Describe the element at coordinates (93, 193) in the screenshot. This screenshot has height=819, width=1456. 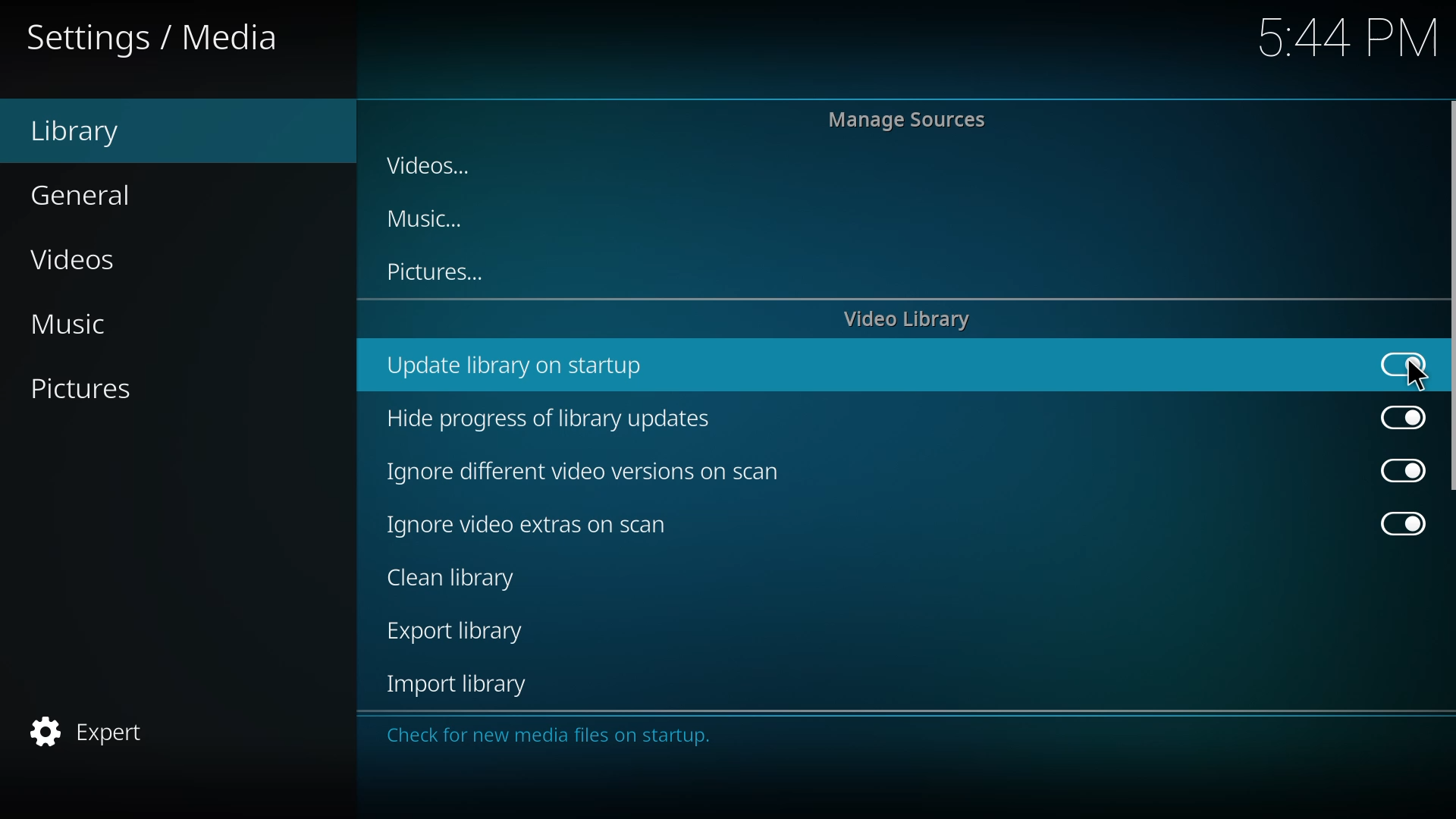
I see `general` at that location.